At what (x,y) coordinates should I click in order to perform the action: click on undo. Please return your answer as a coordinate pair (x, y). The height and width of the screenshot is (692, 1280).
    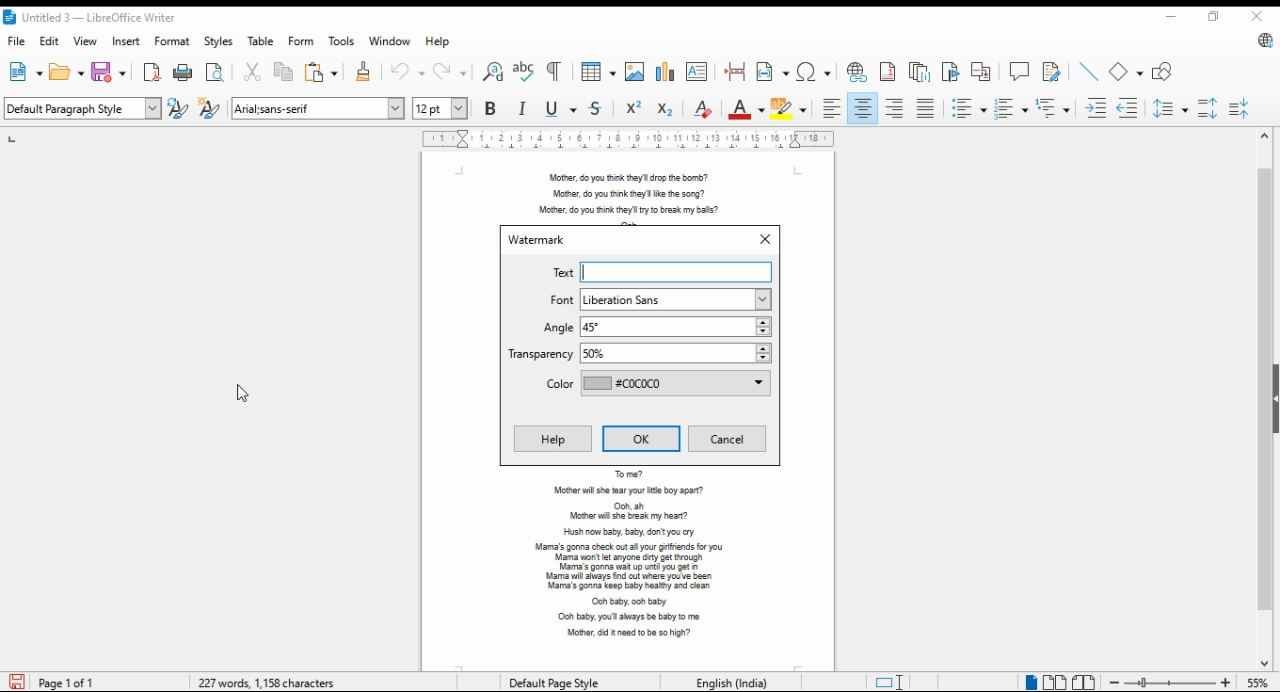
    Looking at the image, I should click on (408, 72).